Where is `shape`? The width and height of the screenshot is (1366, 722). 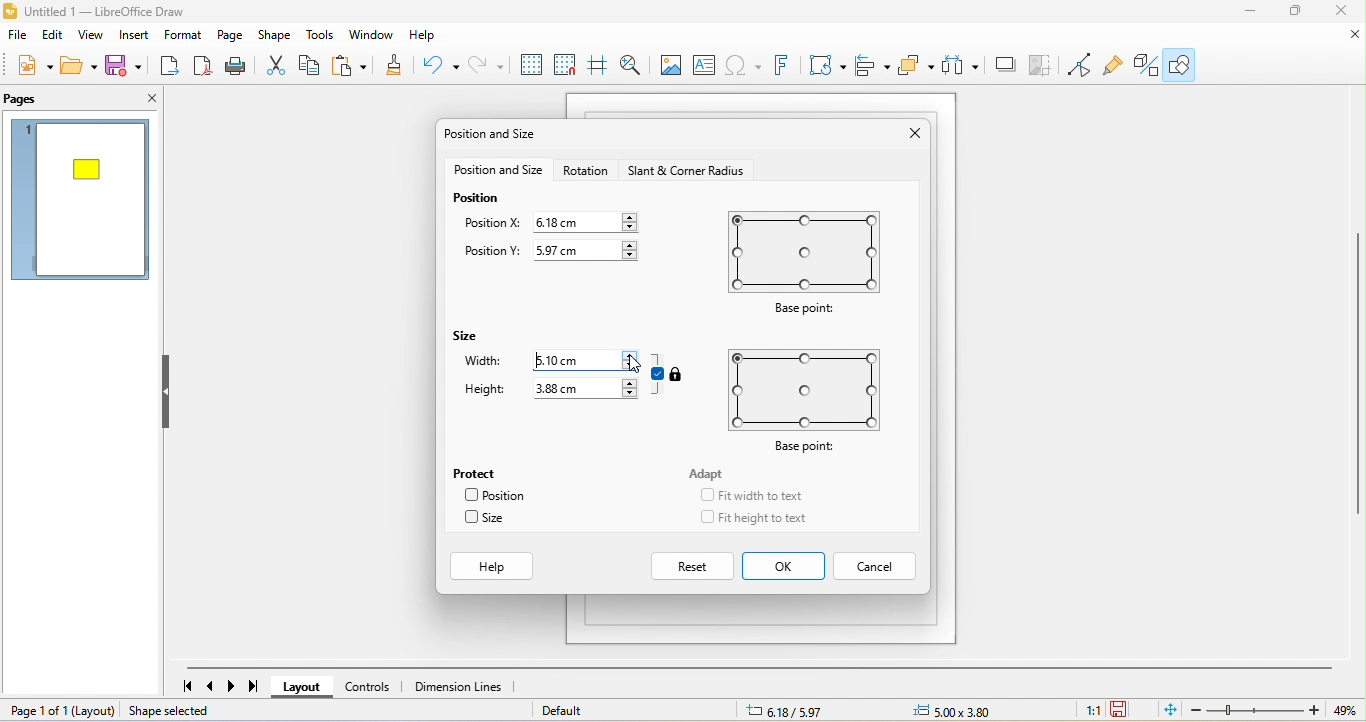 shape is located at coordinates (273, 37).